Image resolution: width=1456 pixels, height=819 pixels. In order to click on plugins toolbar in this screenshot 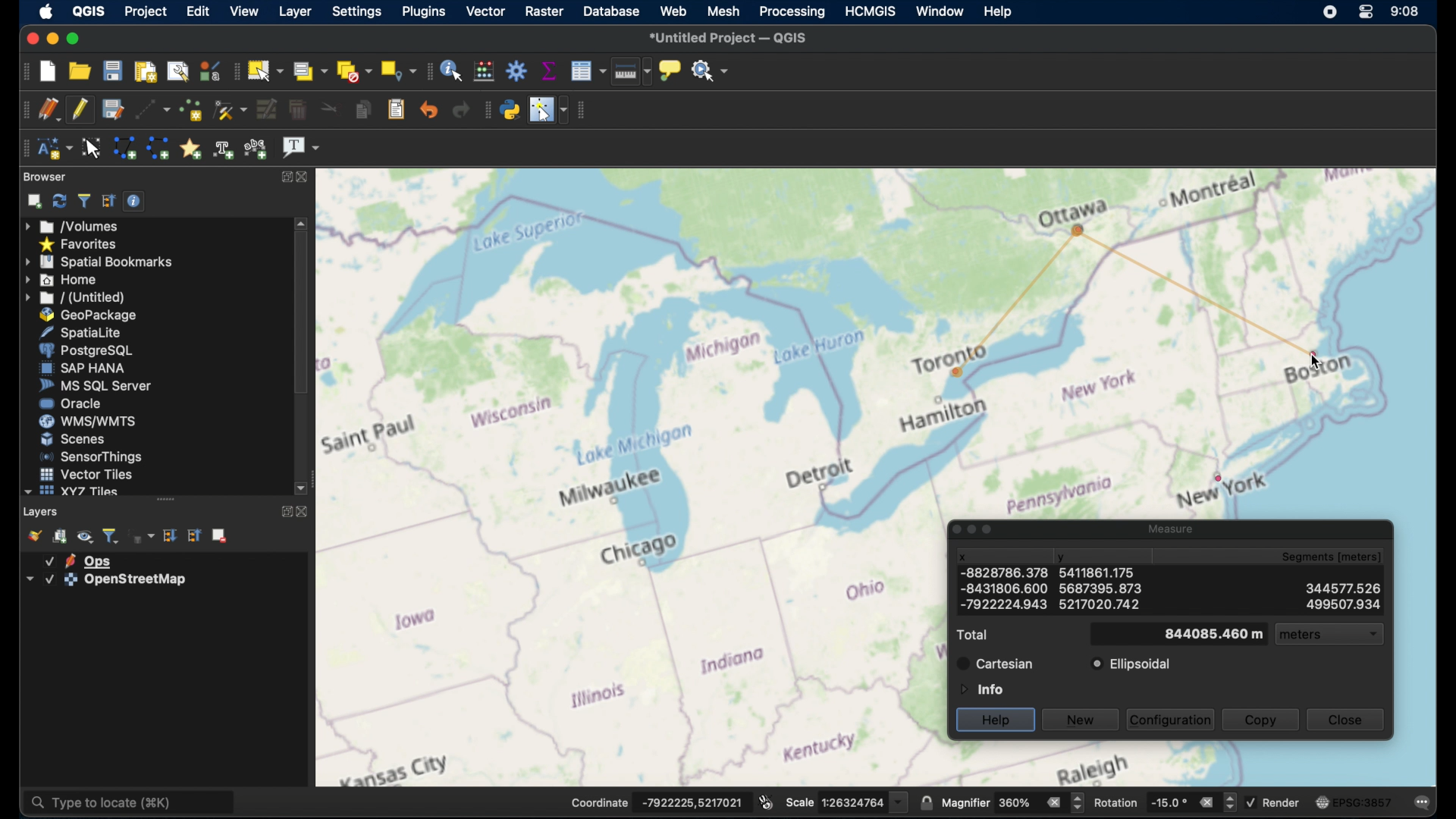, I will do `click(485, 109)`.